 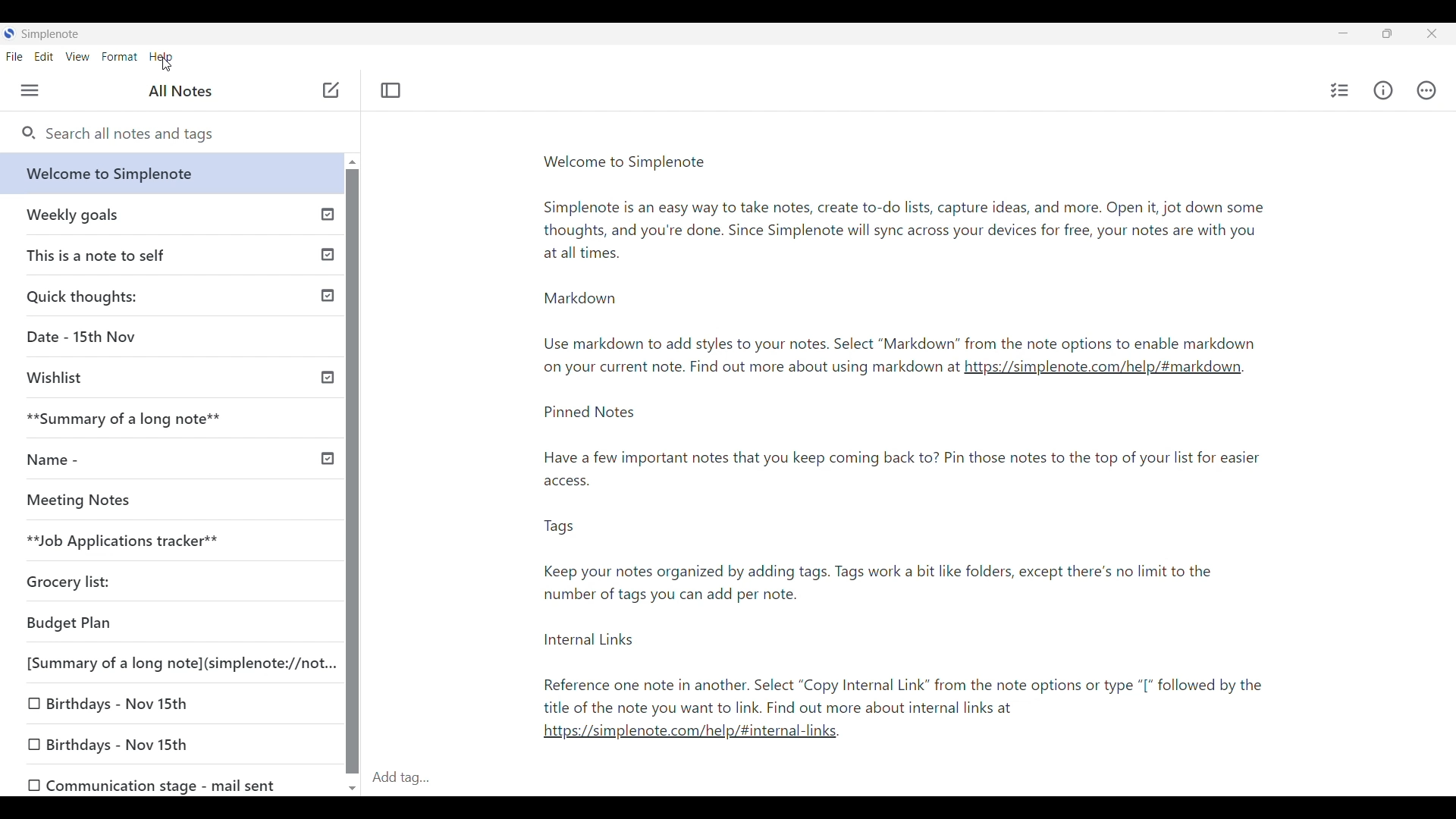 I want to click on , so click(x=328, y=253).